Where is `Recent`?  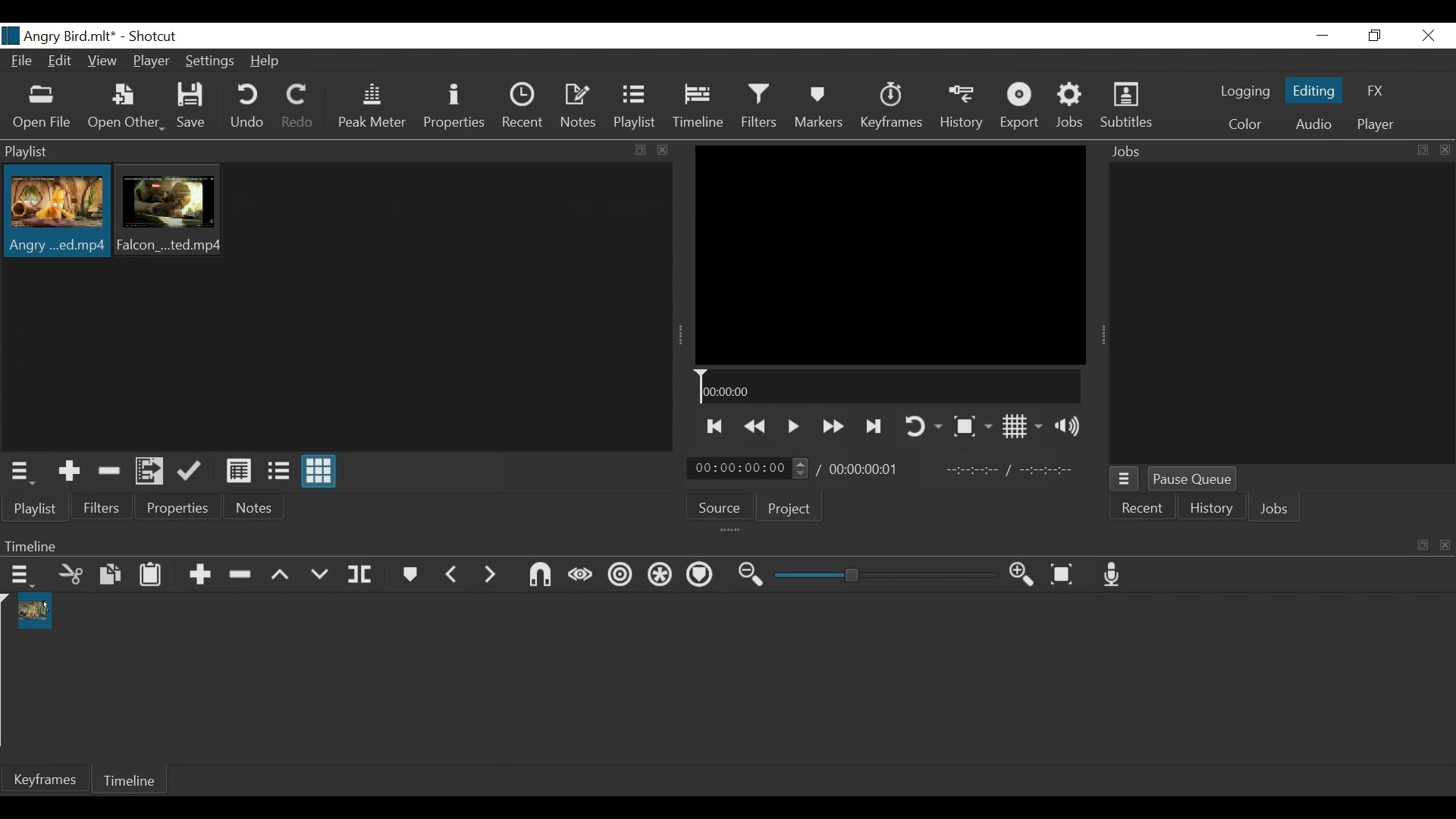 Recent is located at coordinates (1143, 507).